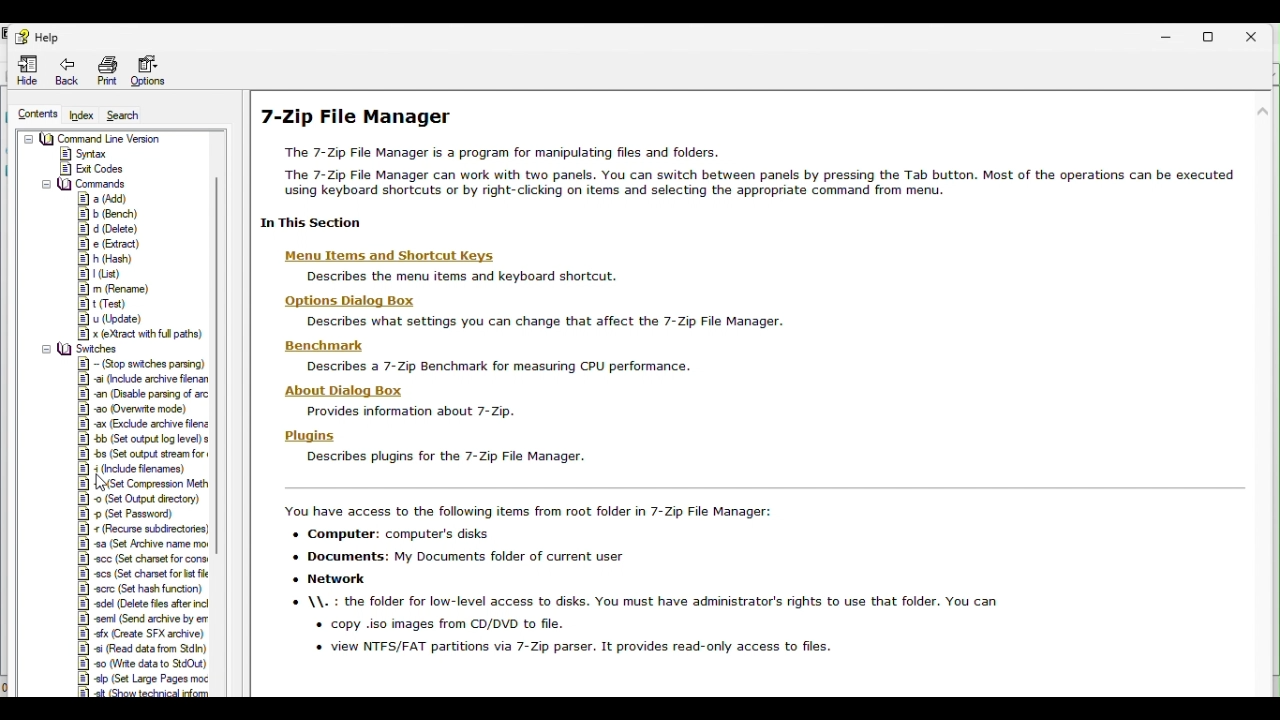 The height and width of the screenshot is (720, 1280). I want to click on Close , so click(1255, 36).